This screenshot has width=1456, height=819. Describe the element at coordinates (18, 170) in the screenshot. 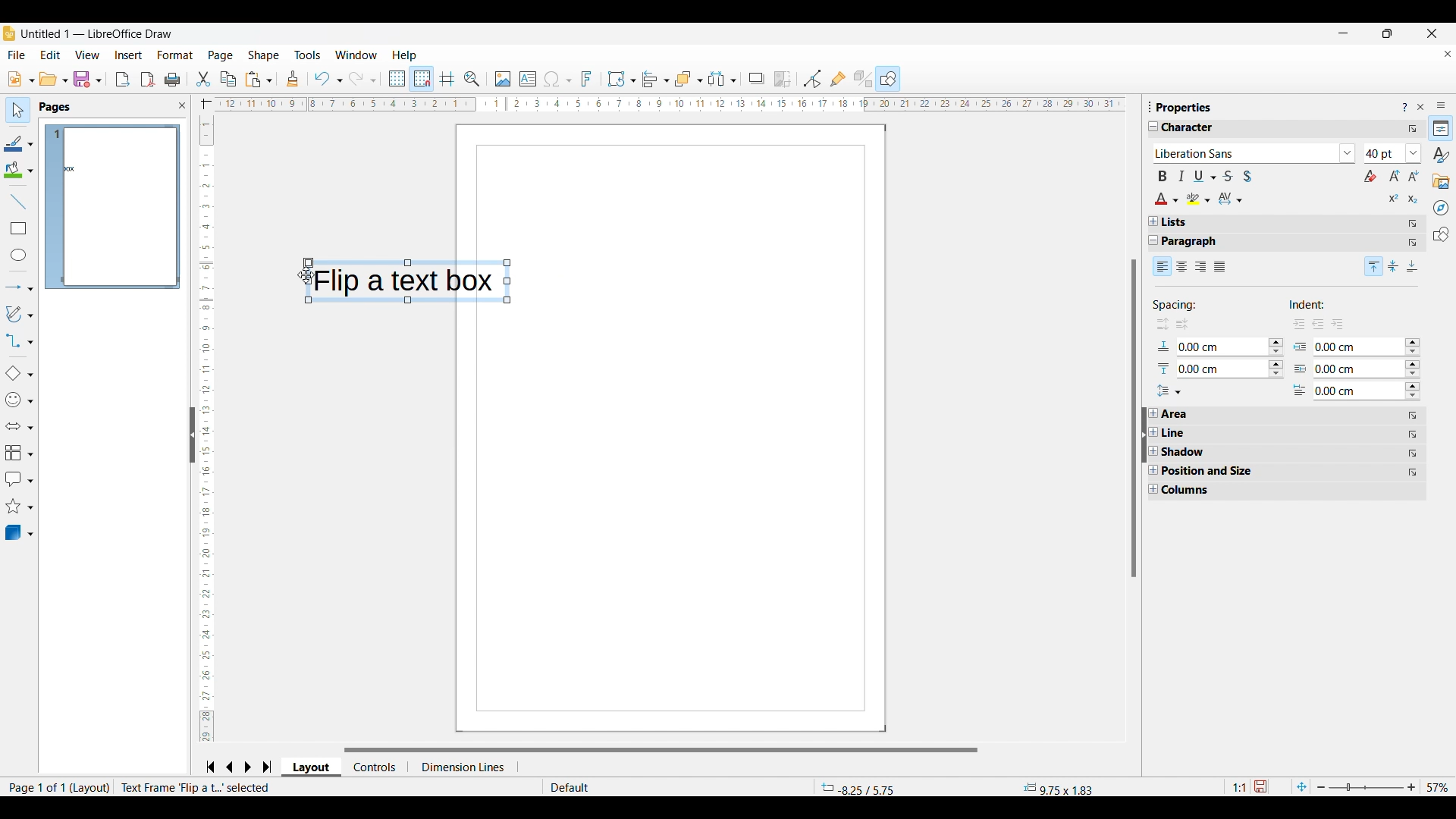

I see `Fill color options` at that location.